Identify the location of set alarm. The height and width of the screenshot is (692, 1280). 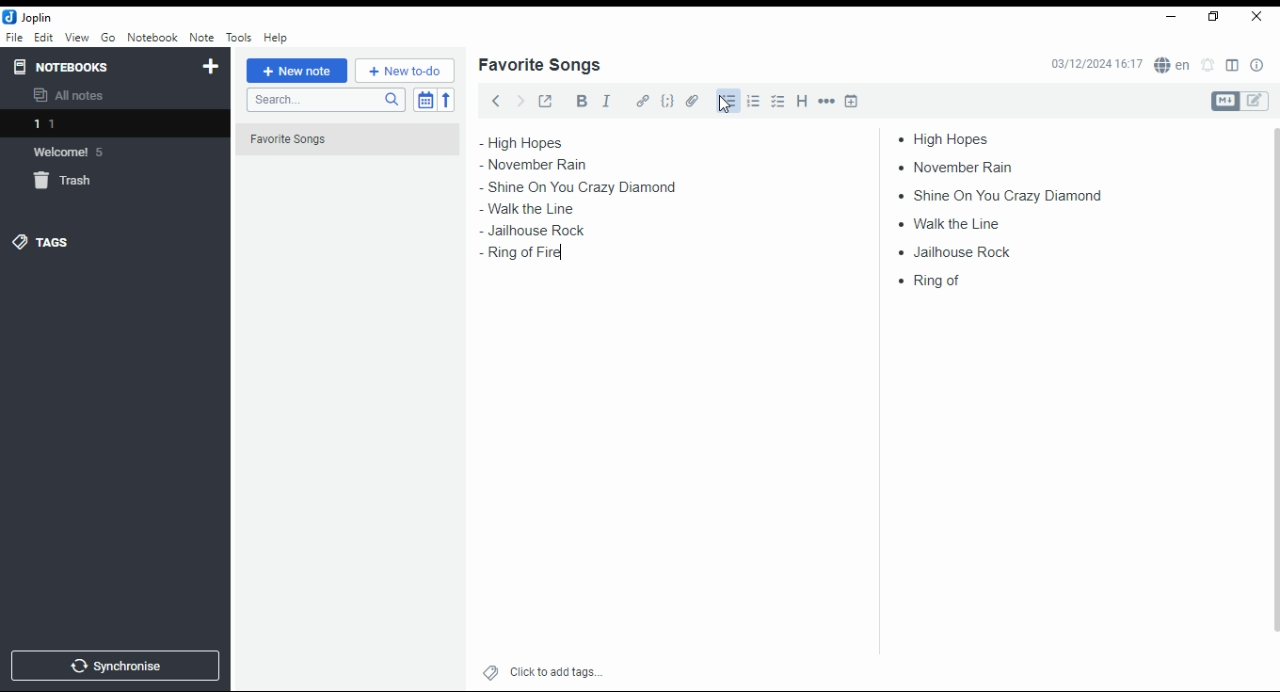
(1209, 65).